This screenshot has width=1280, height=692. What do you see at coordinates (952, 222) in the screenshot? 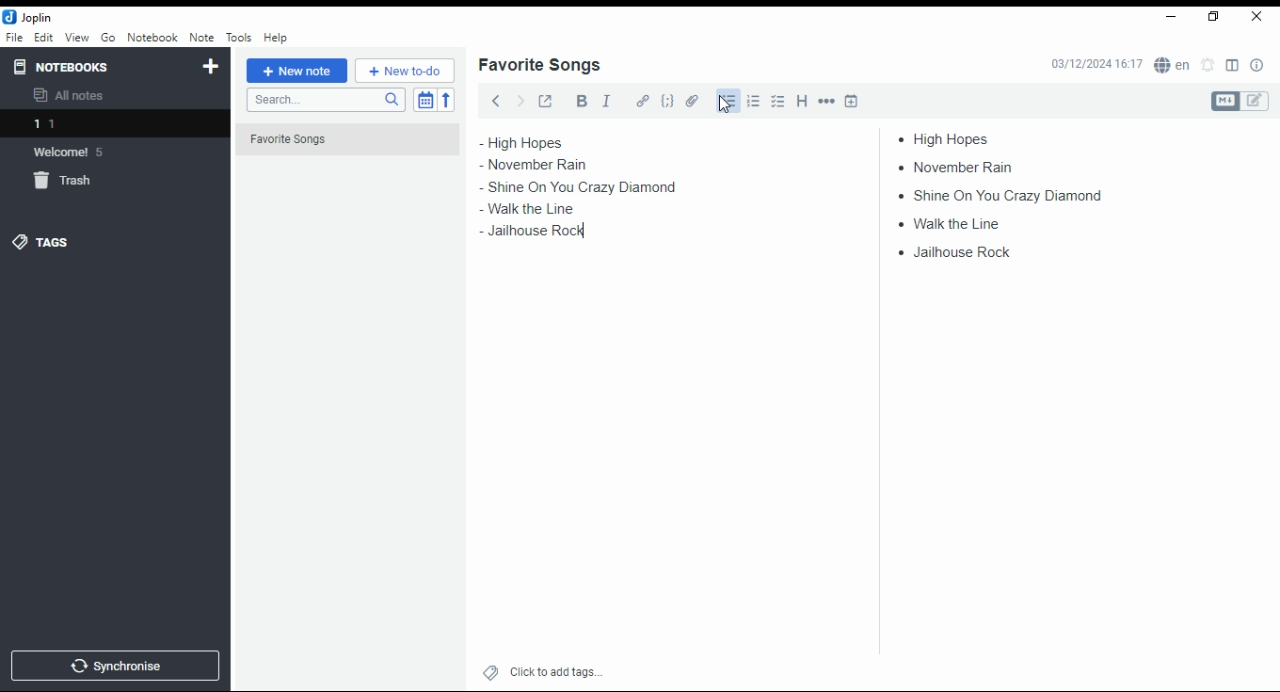
I see `walk ta line` at bounding box center [952, 222].